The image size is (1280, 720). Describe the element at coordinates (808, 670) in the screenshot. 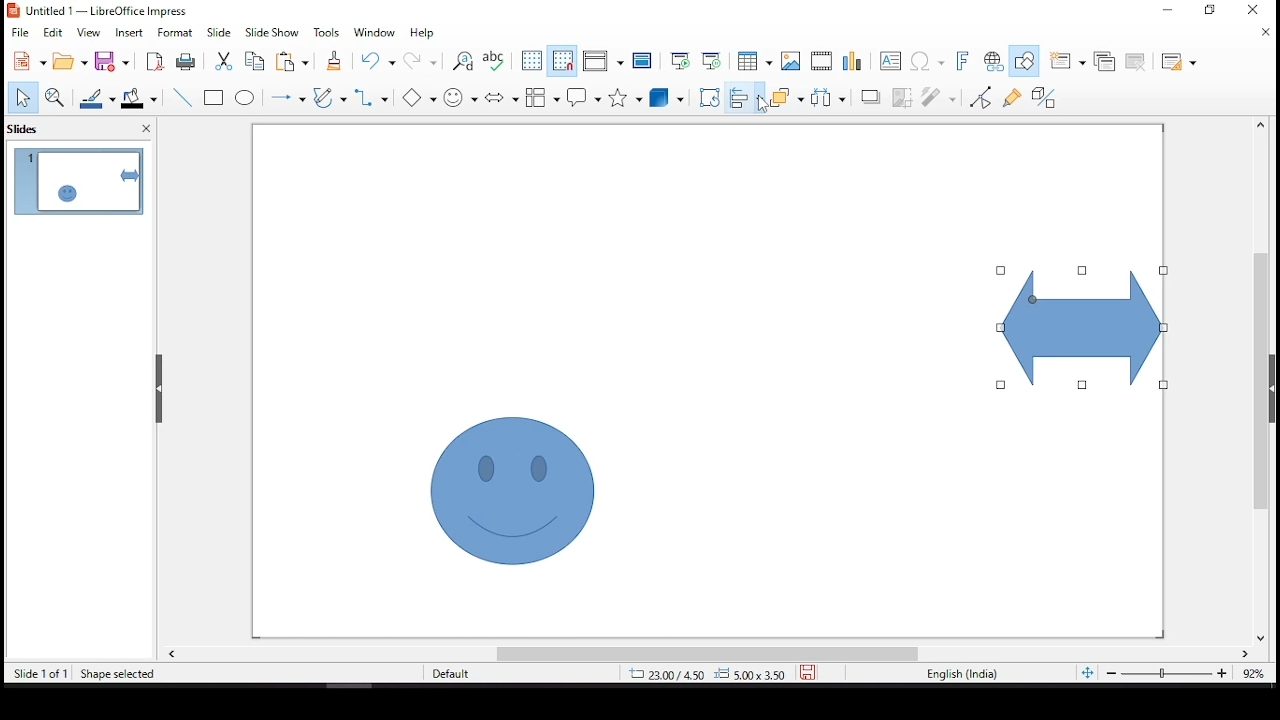

I see `save` at that location.